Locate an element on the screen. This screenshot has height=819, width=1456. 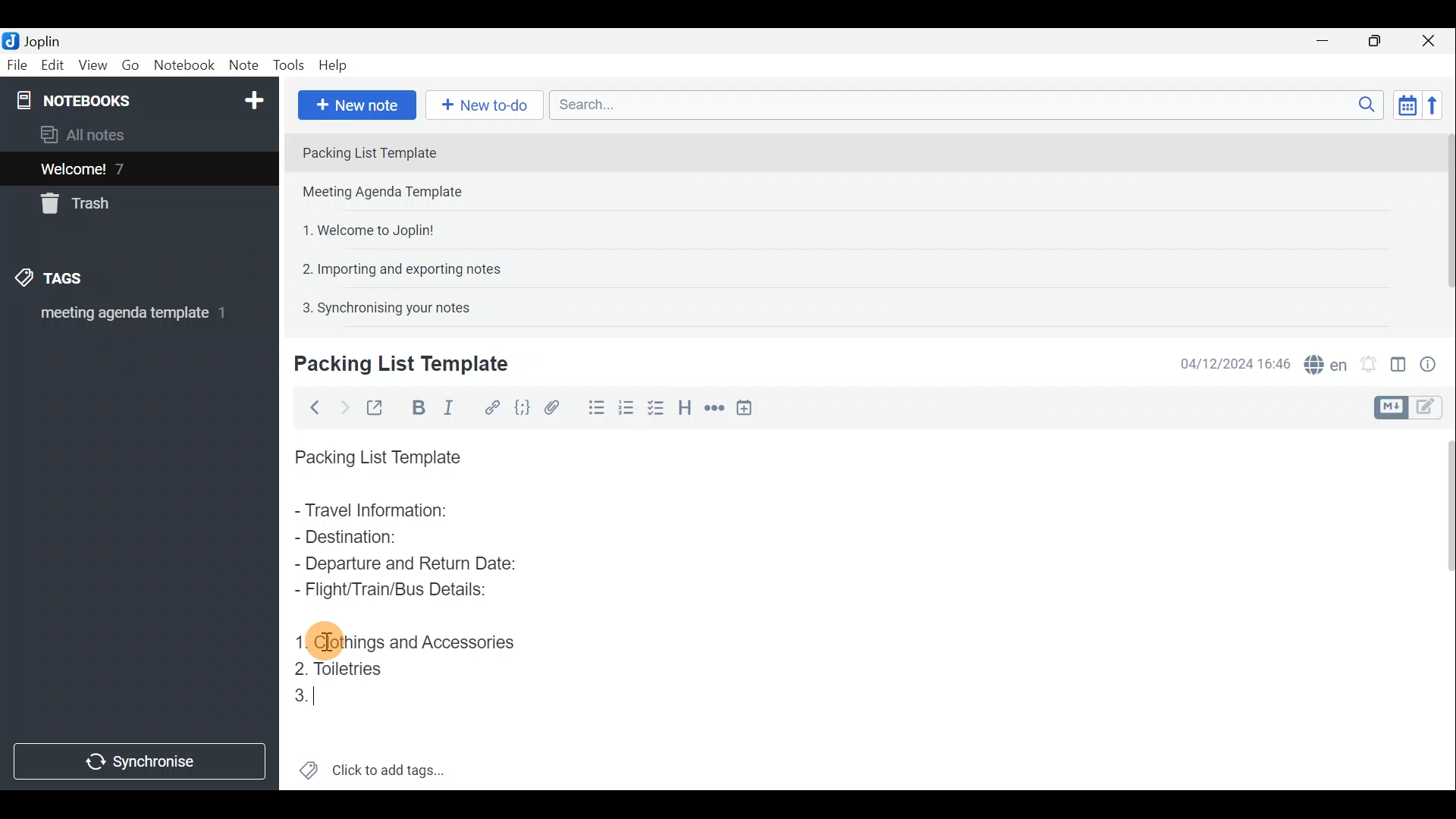
Help is located at coordinates (335, 67).